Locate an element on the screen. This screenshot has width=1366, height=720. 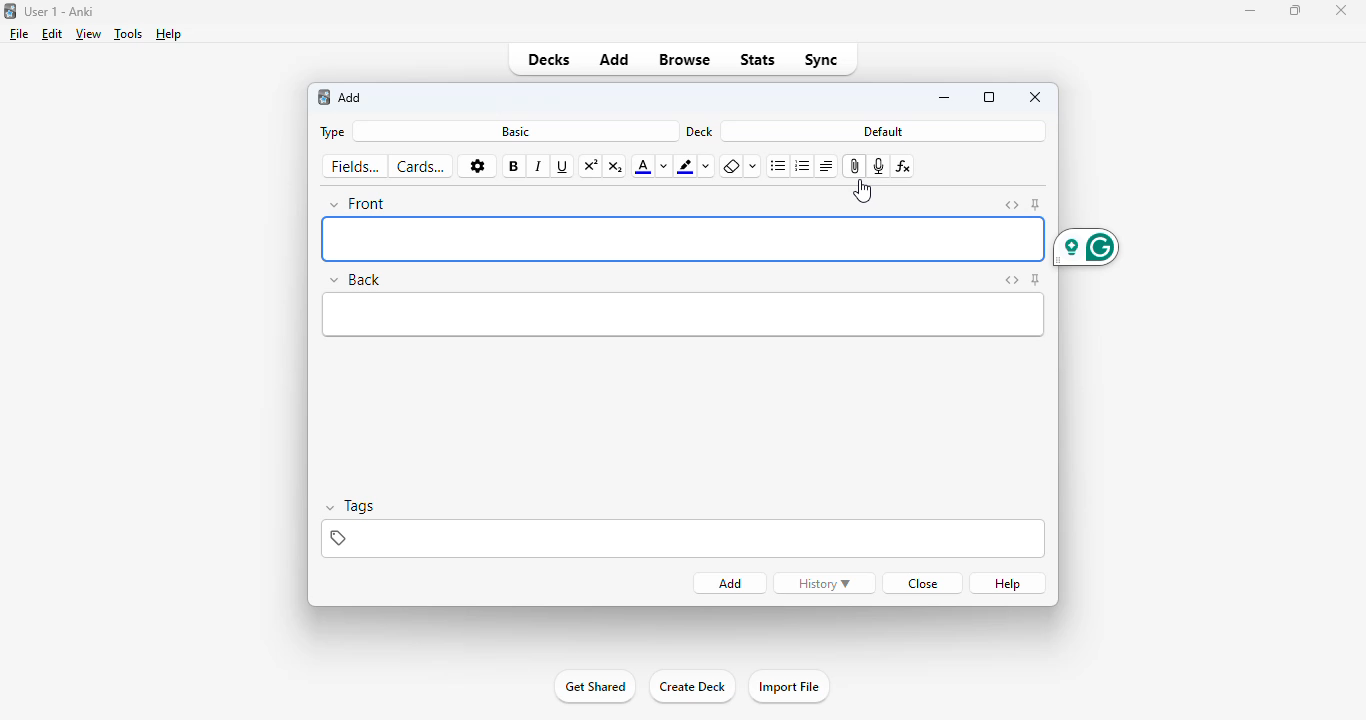
add is located at coordinates (351, 97).